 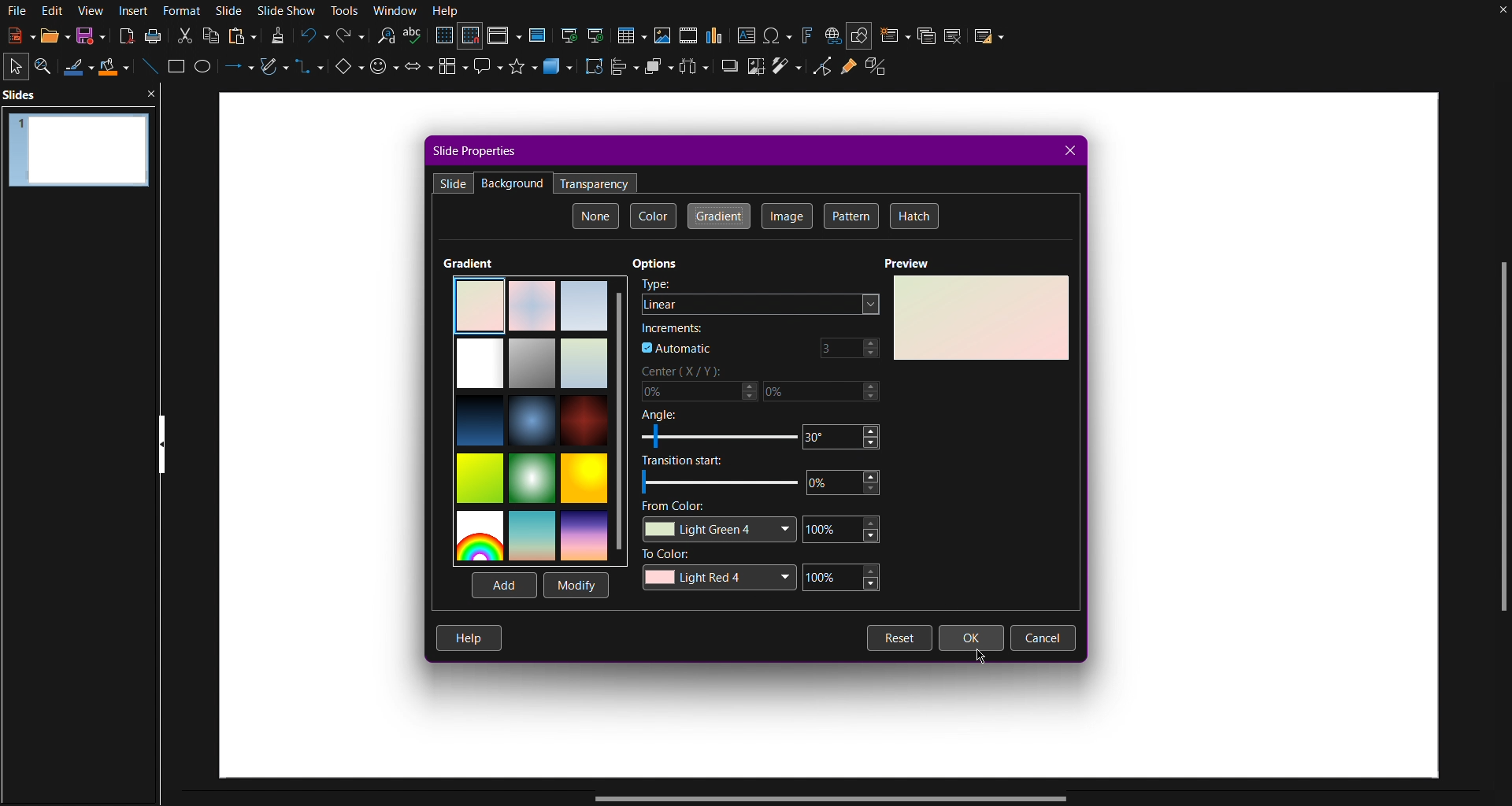 I want to click on From Color, so click(x=765, y=523).